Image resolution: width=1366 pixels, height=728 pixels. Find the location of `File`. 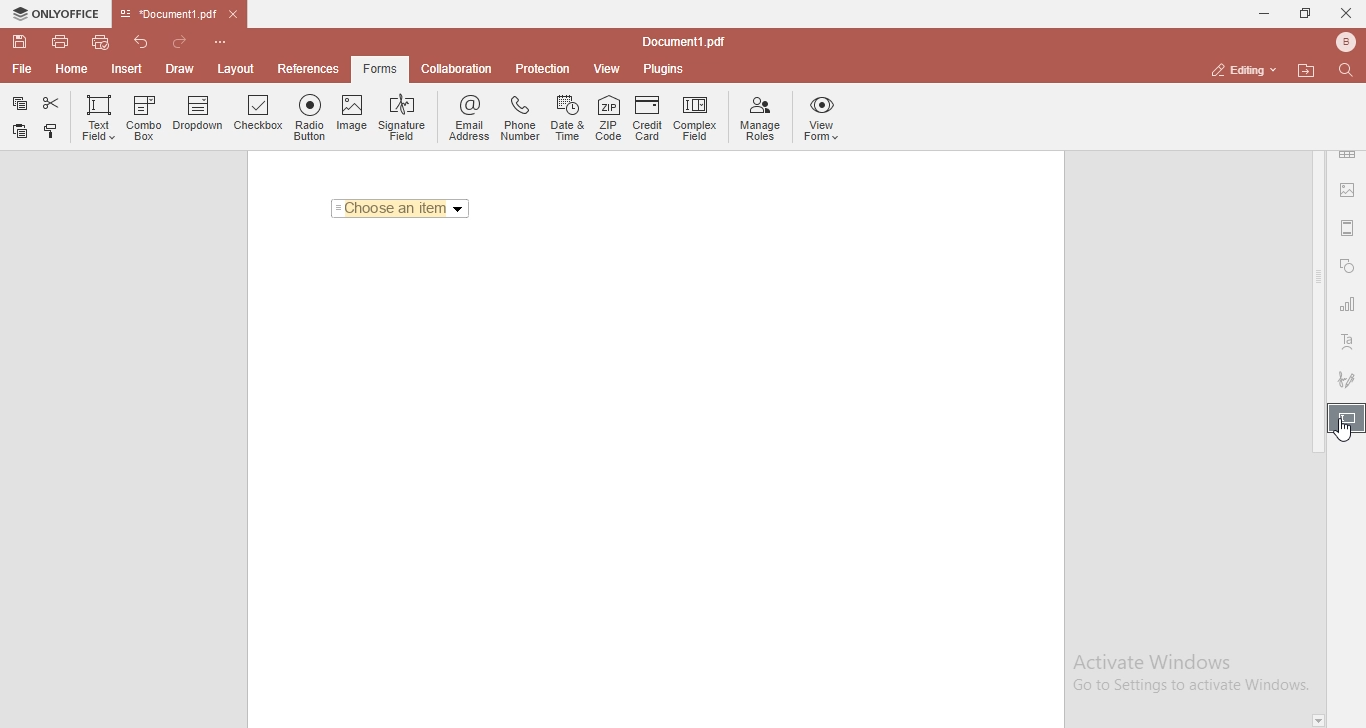

File is located at coordinates (20, 69).